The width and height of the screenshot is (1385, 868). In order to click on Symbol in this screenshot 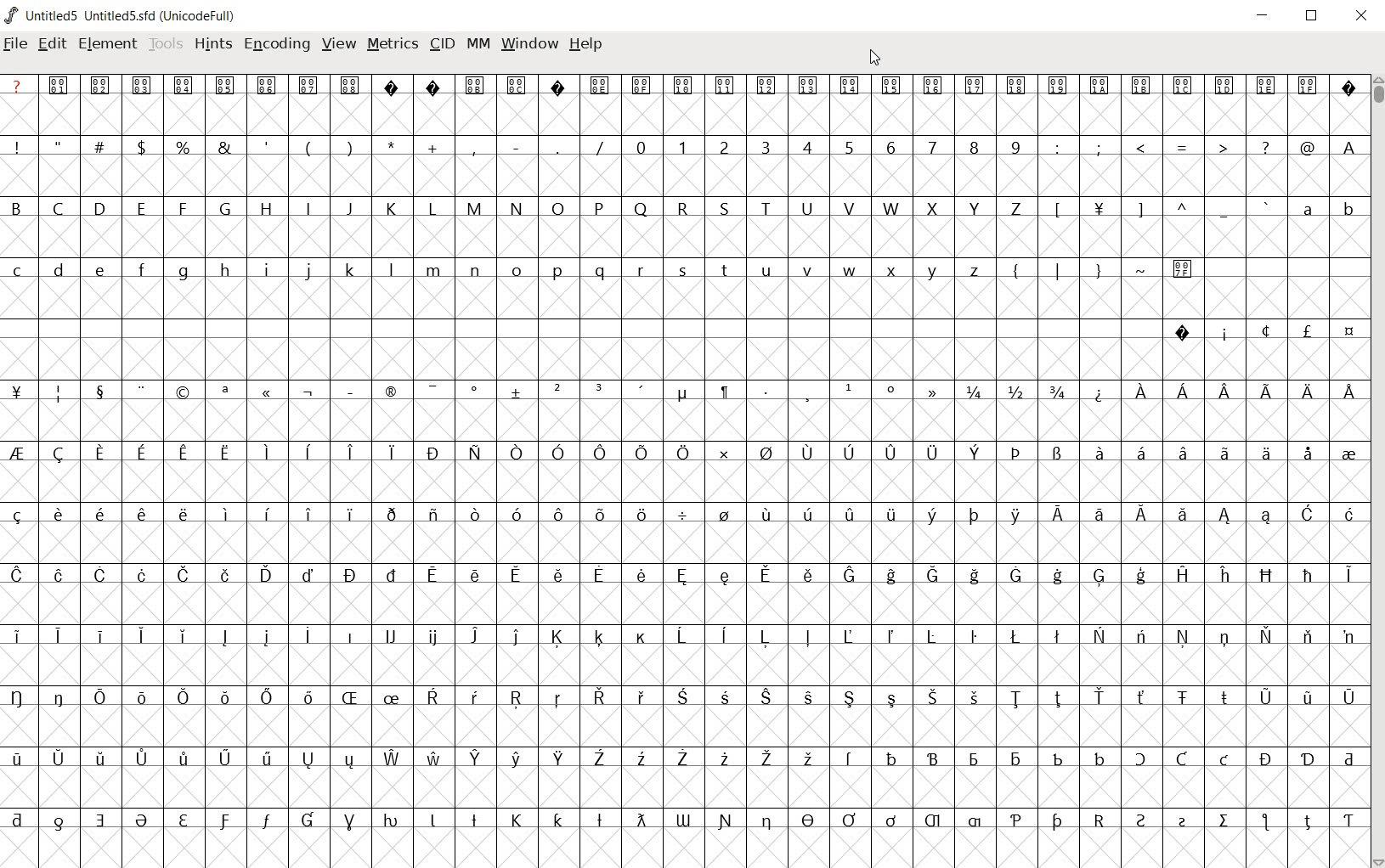, I will do `click(600, 86)`.